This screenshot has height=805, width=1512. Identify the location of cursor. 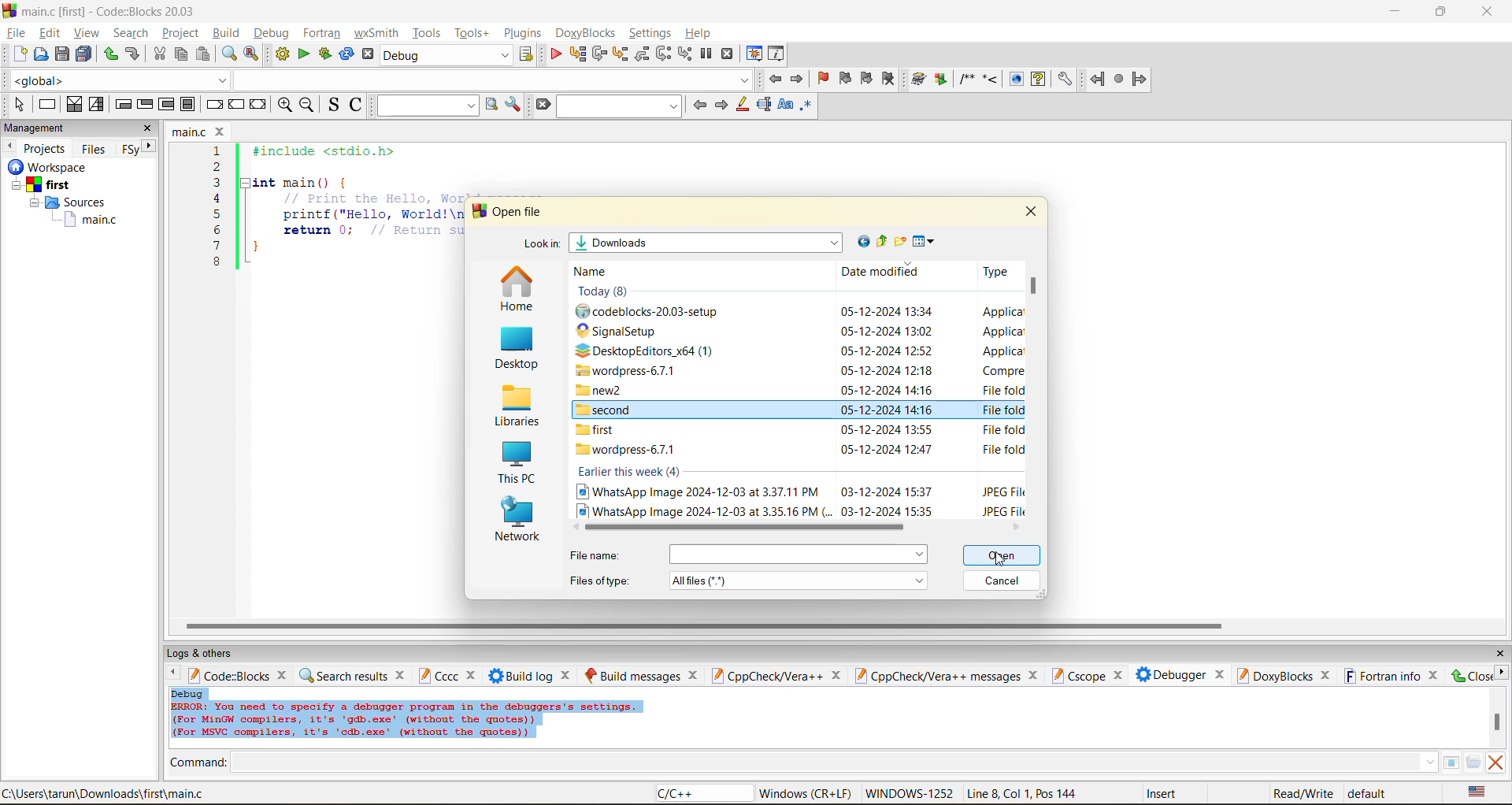
(999, 559).